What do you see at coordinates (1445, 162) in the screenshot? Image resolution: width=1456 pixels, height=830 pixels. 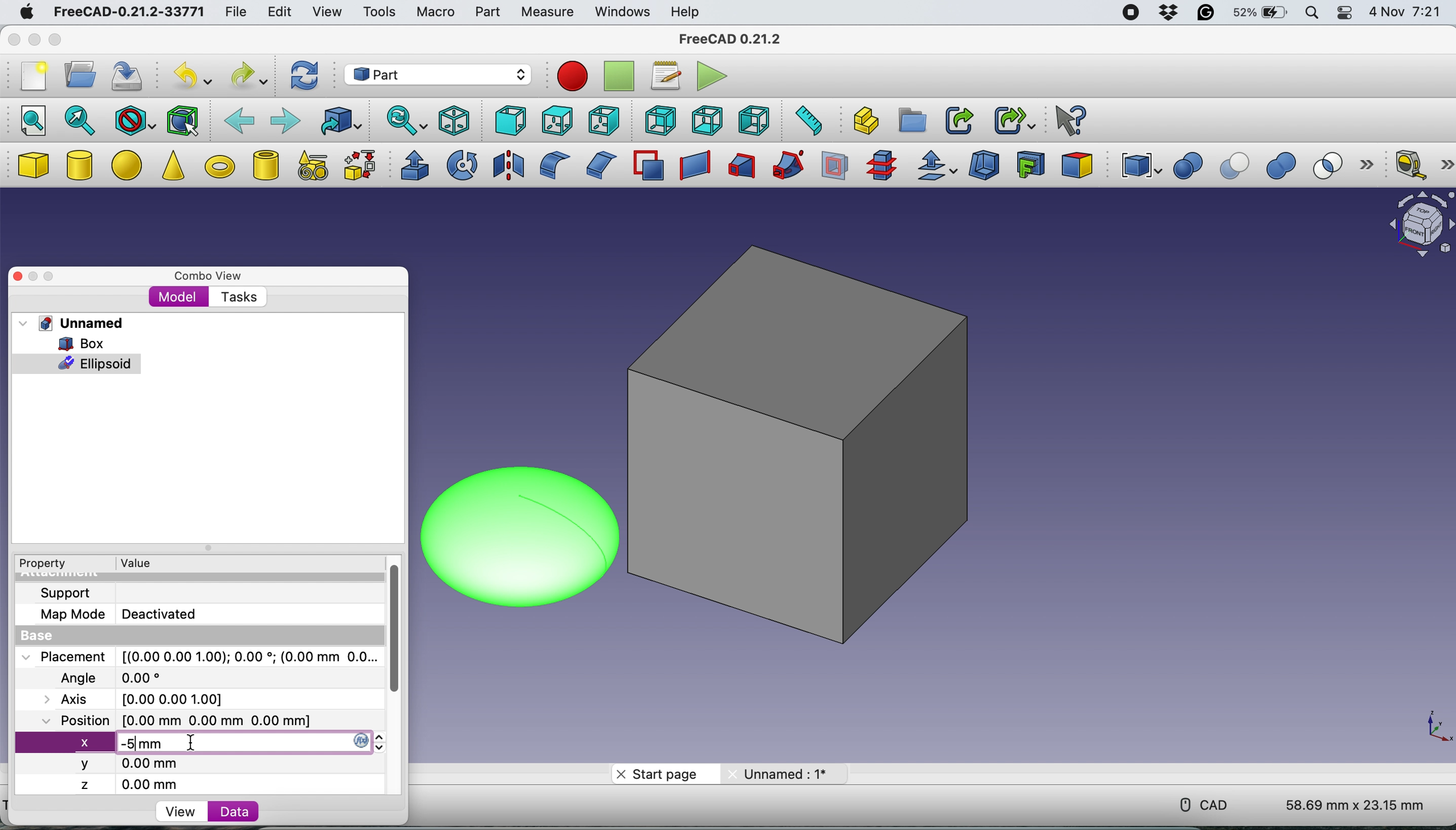 I see `more options` at bounding box center [1445, 162].